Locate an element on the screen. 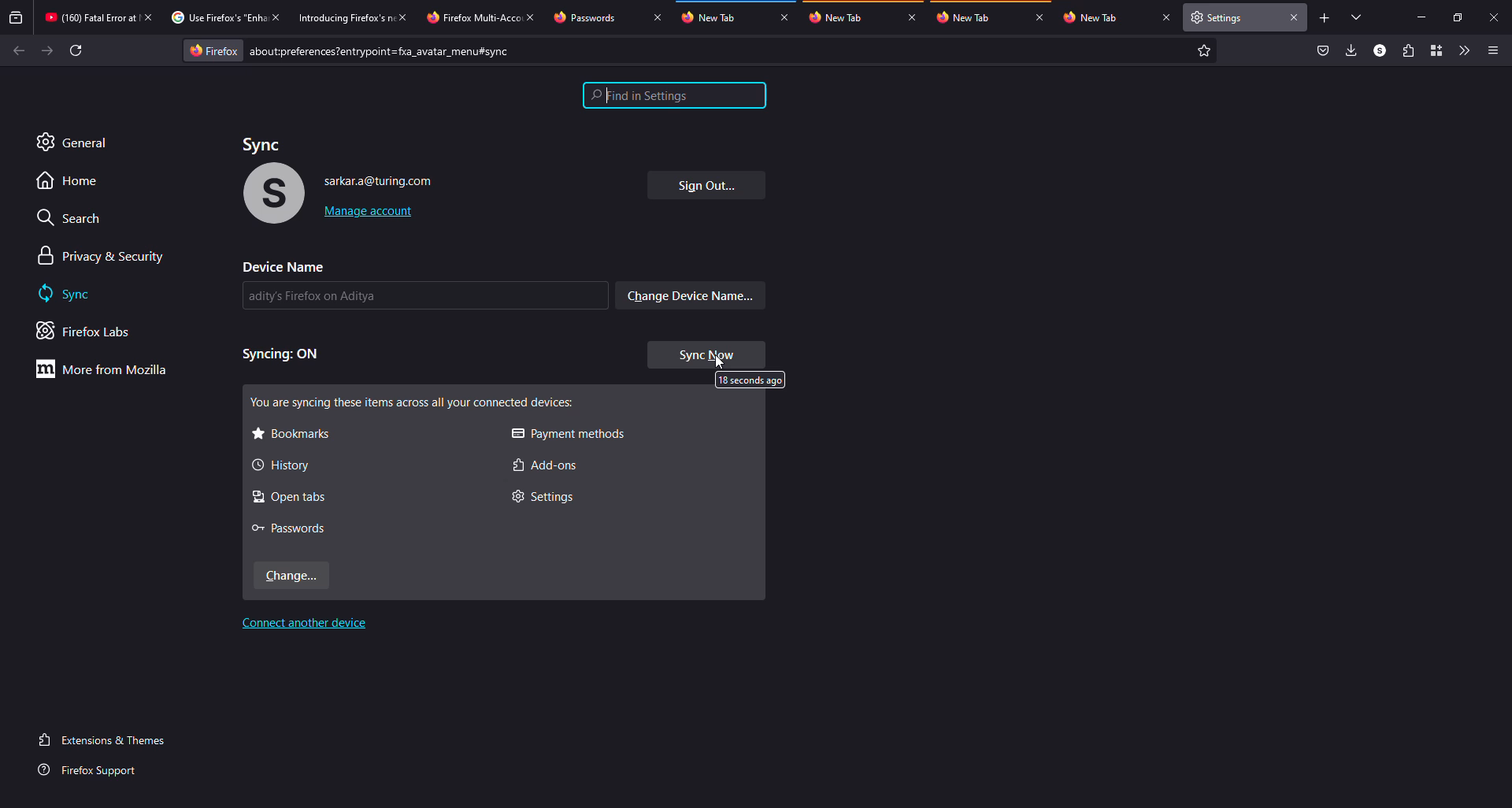 The height and width of the screenshot is (808, 1512). bookmarks is located at coordinates (294, 433).